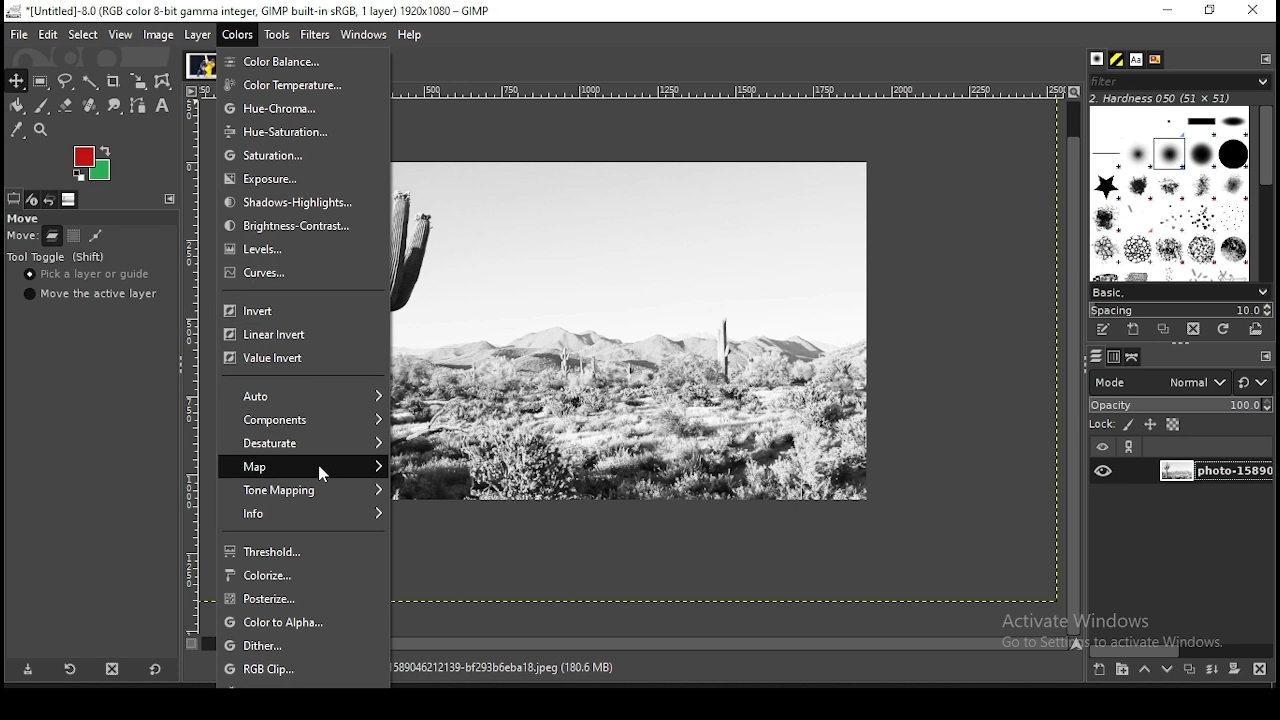  I want to click on scale, so click(189, 359).